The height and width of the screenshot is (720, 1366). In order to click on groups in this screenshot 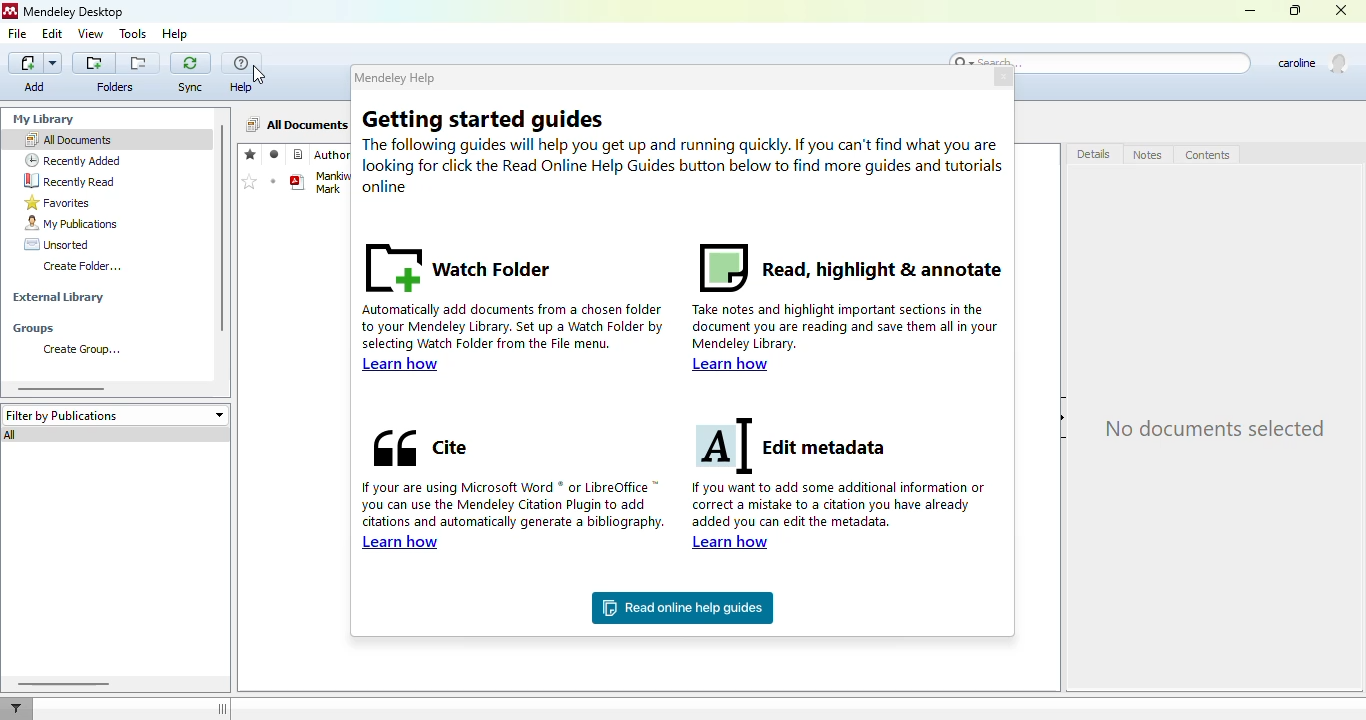, I will do `click(33, 329)`.